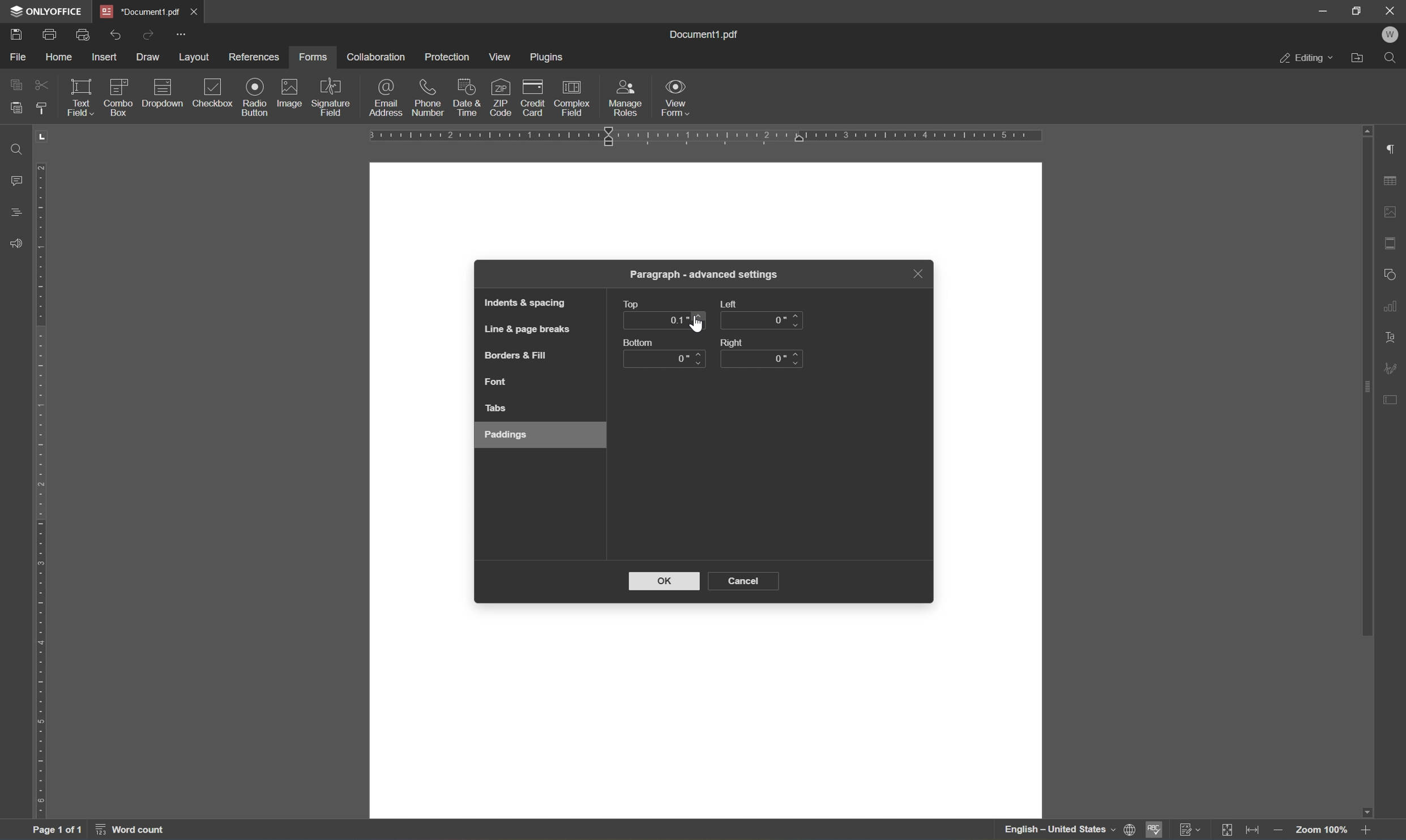 The width and height of the screenshot is (1406, 840). Describe the element at coordinates (117, 33) in the screenshot. I see `undo` at that location.